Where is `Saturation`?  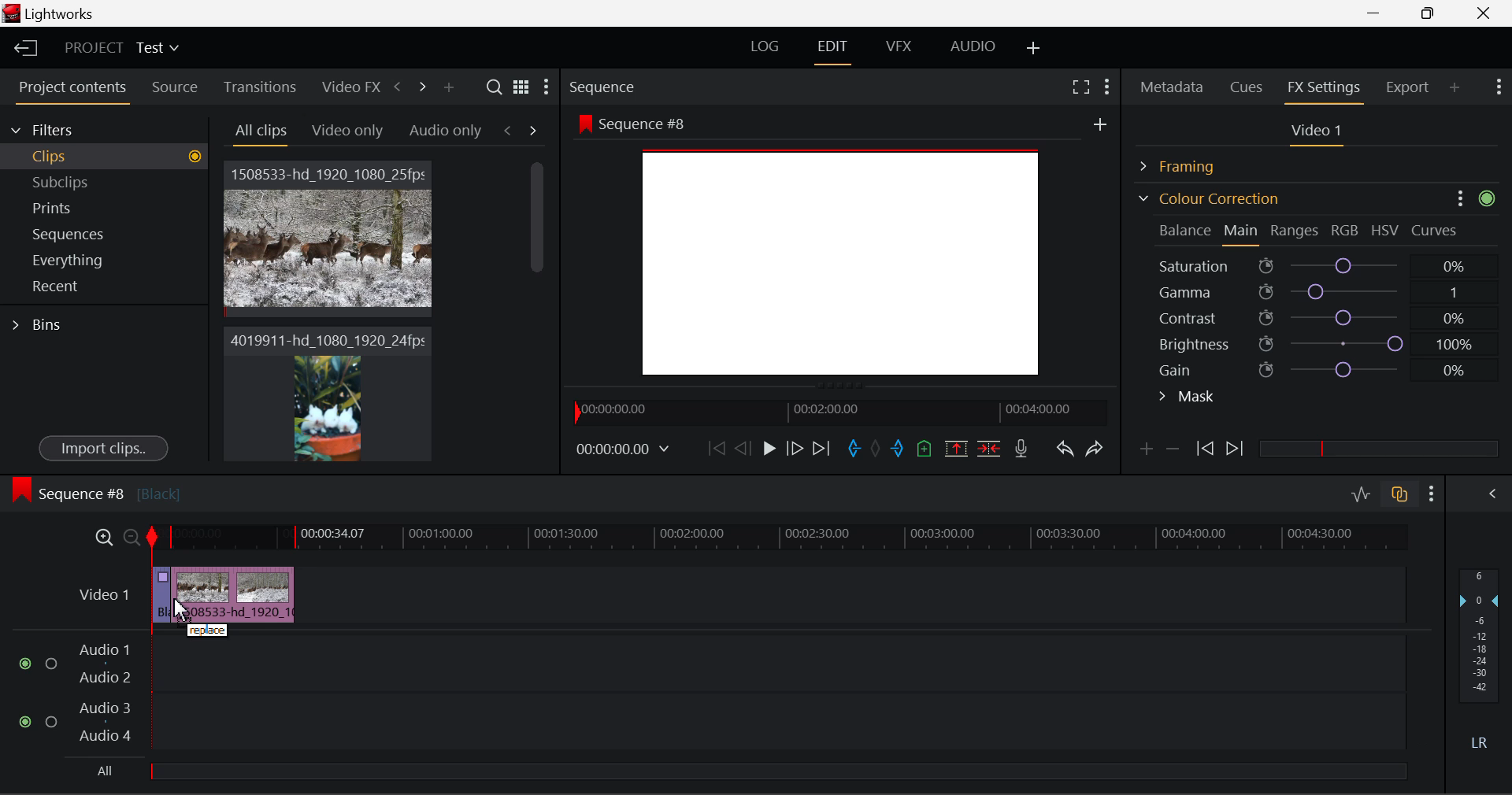
Saturation is located at coordinates (1314, 263).